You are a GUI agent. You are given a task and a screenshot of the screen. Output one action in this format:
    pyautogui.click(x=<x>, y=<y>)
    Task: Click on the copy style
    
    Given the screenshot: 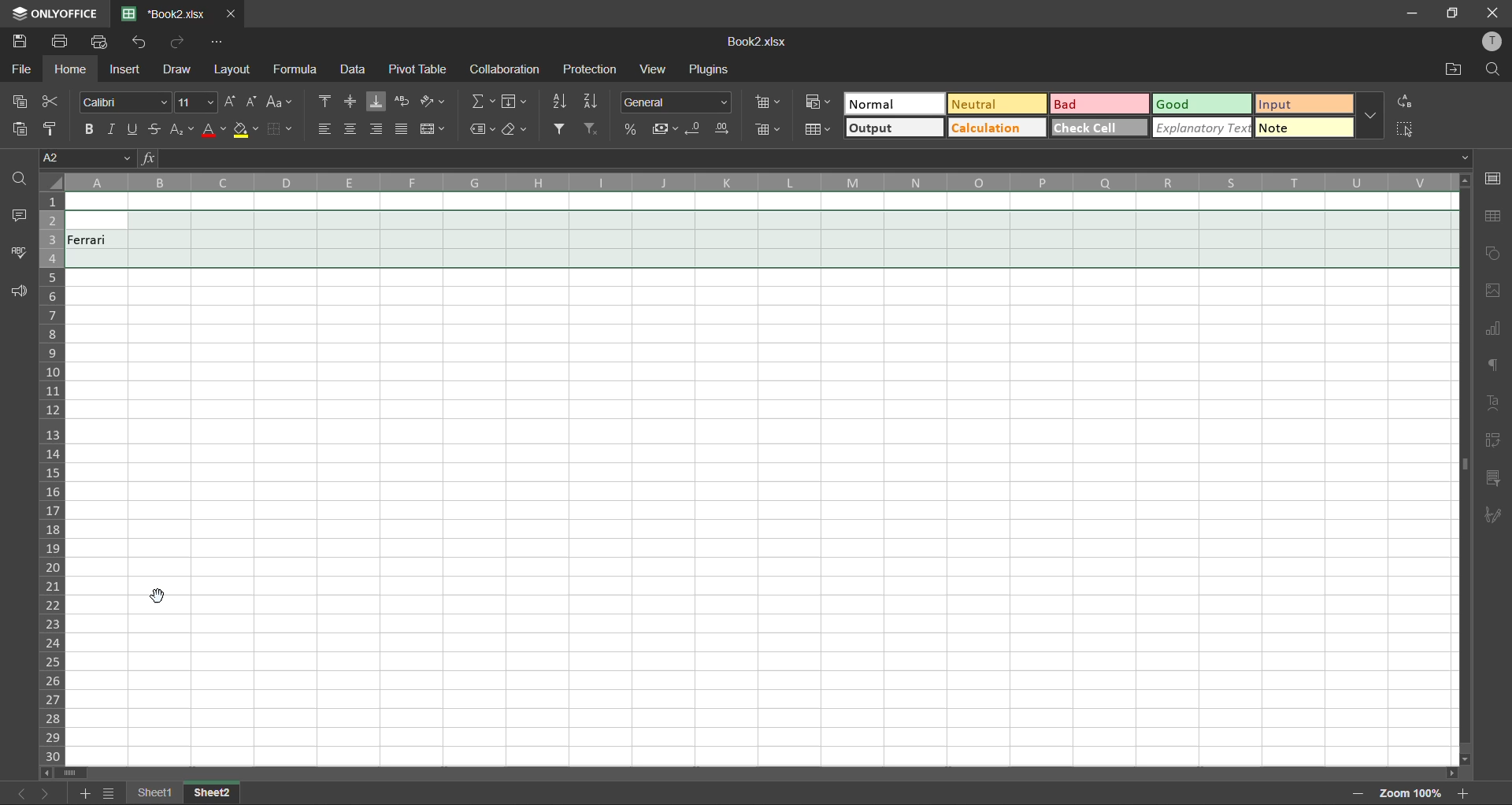 What is the action you would take?
    pyautogui.click(x=56, y=129)
    